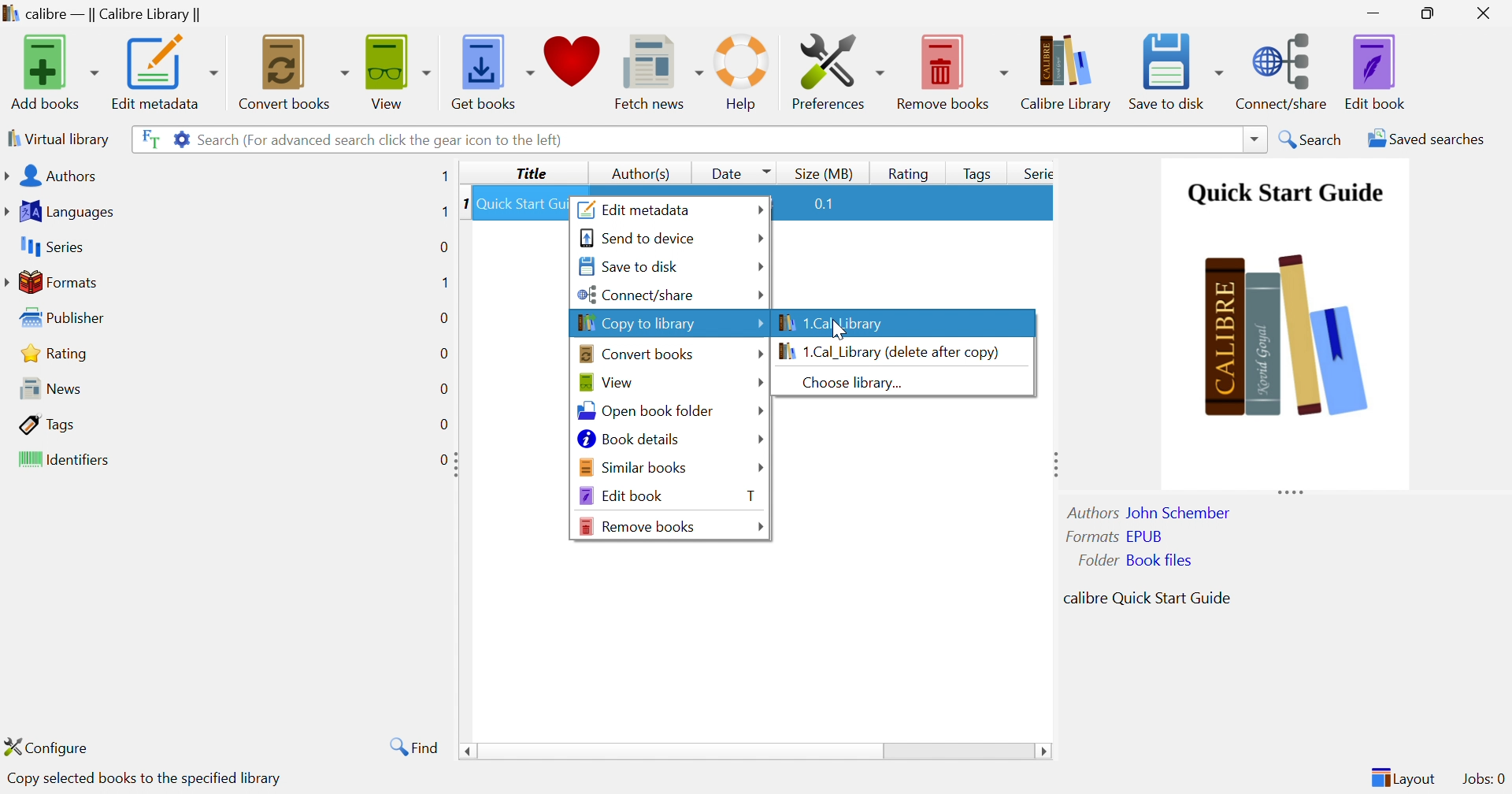  Describe the element at coordinates (844, 383) in the screenshot. I see `Choose library...` at that location.